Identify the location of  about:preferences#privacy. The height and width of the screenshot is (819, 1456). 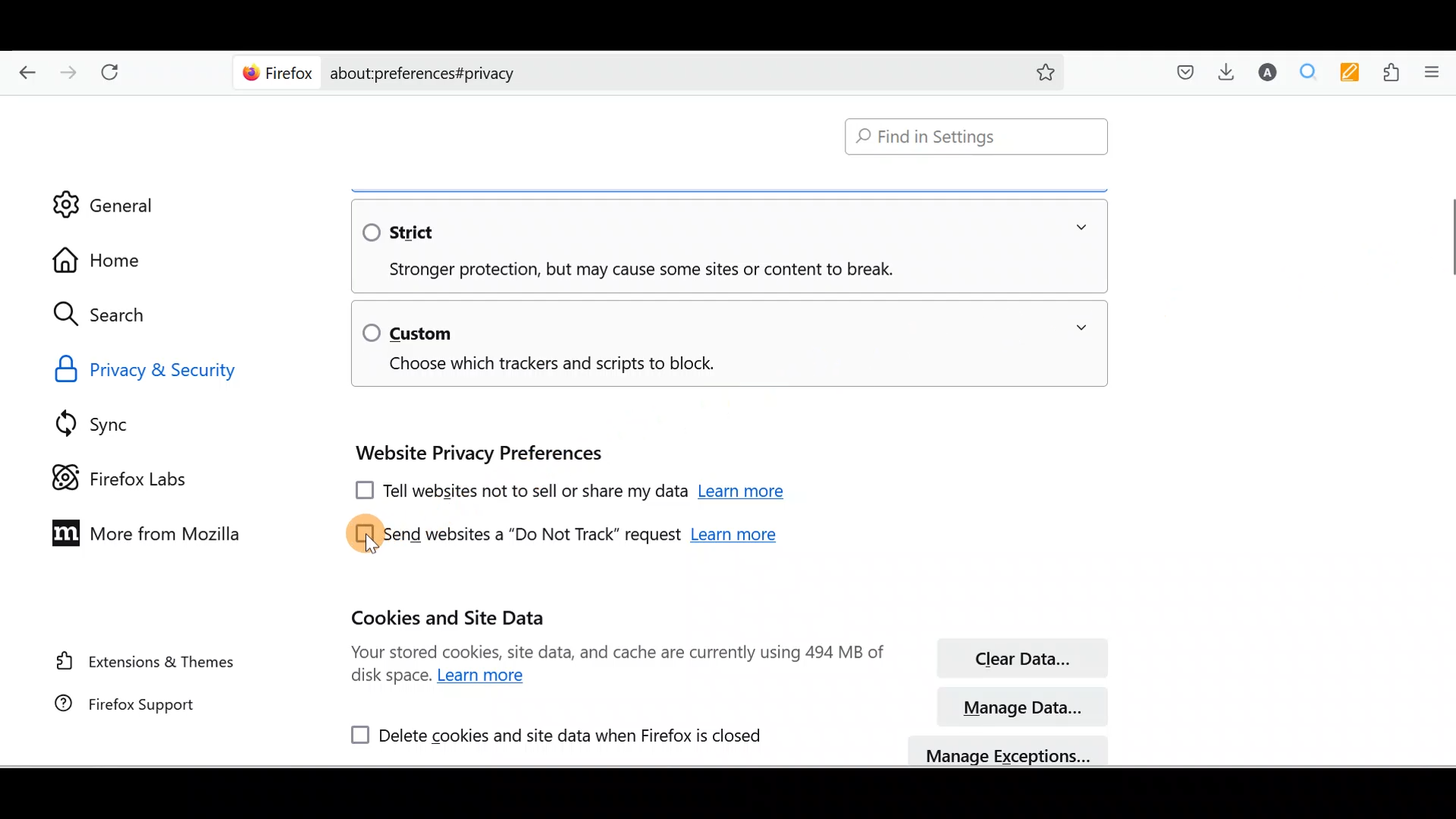
(669, 74).